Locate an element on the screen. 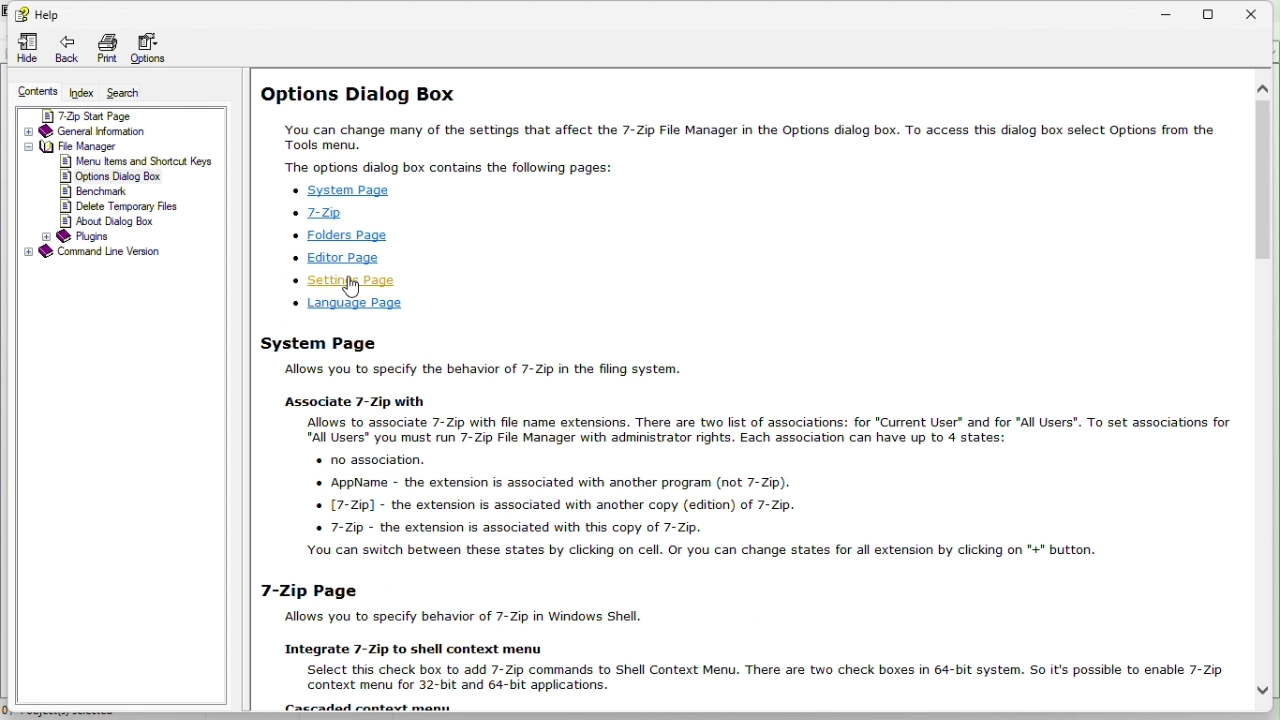  restore is located at coordinates (1218, 11).